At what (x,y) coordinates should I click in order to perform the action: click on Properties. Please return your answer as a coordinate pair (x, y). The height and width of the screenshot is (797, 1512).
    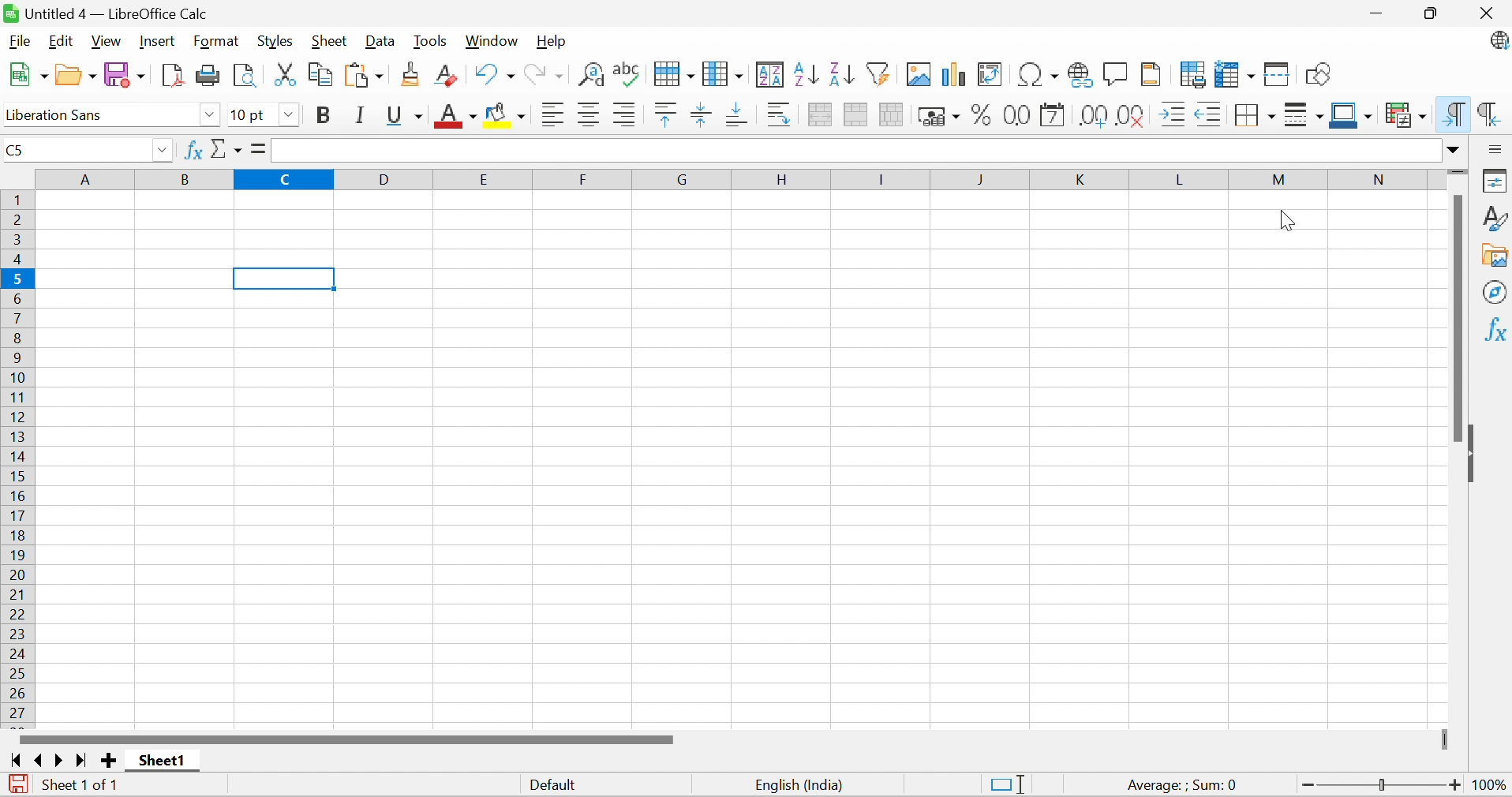
    Looking at the image, I should click on (1496, 179).